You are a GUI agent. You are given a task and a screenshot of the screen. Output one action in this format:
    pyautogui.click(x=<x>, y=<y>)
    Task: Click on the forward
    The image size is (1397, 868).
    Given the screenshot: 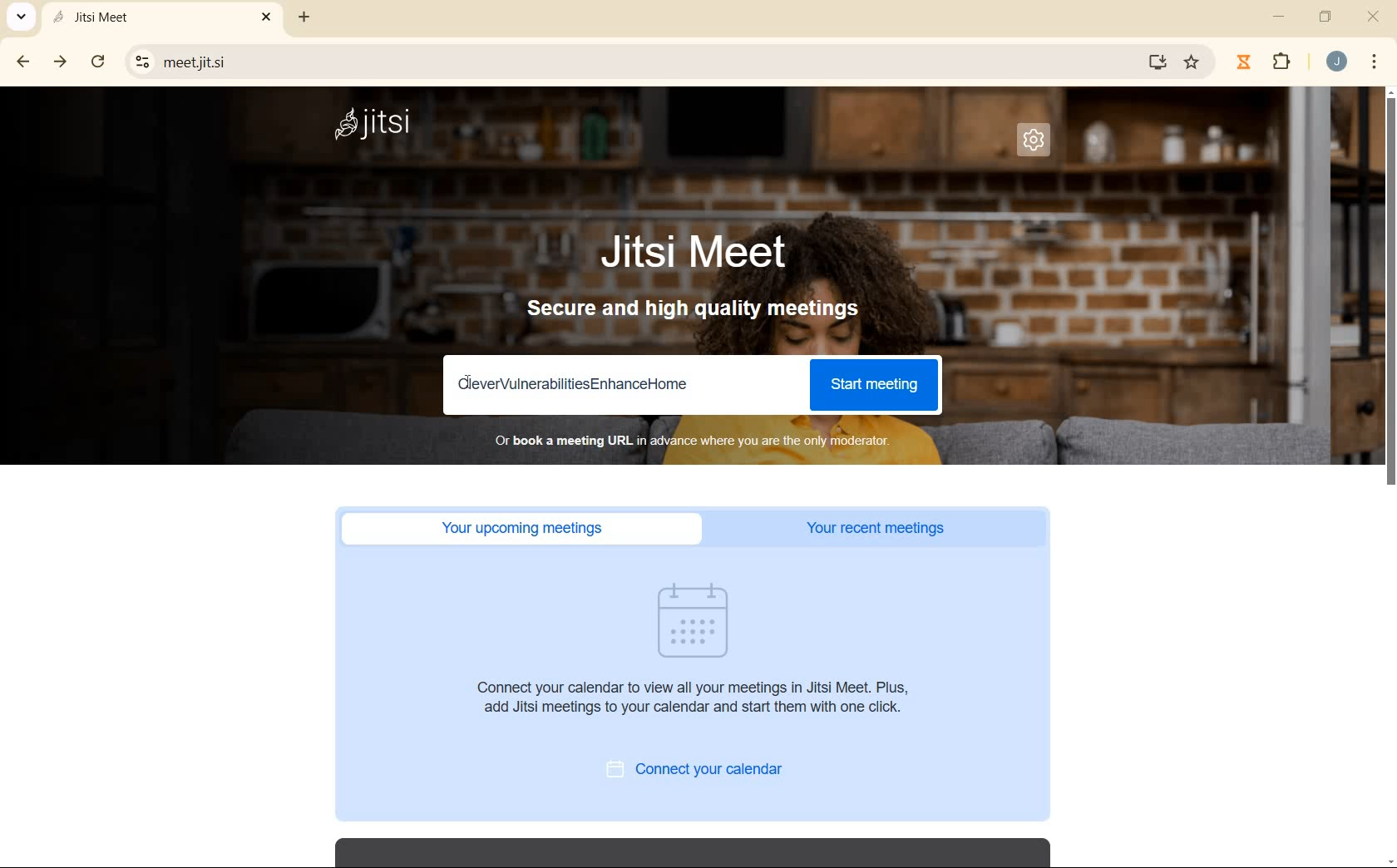 What is the action you would take?
    pyautogui.click(x=57, y=62)
    